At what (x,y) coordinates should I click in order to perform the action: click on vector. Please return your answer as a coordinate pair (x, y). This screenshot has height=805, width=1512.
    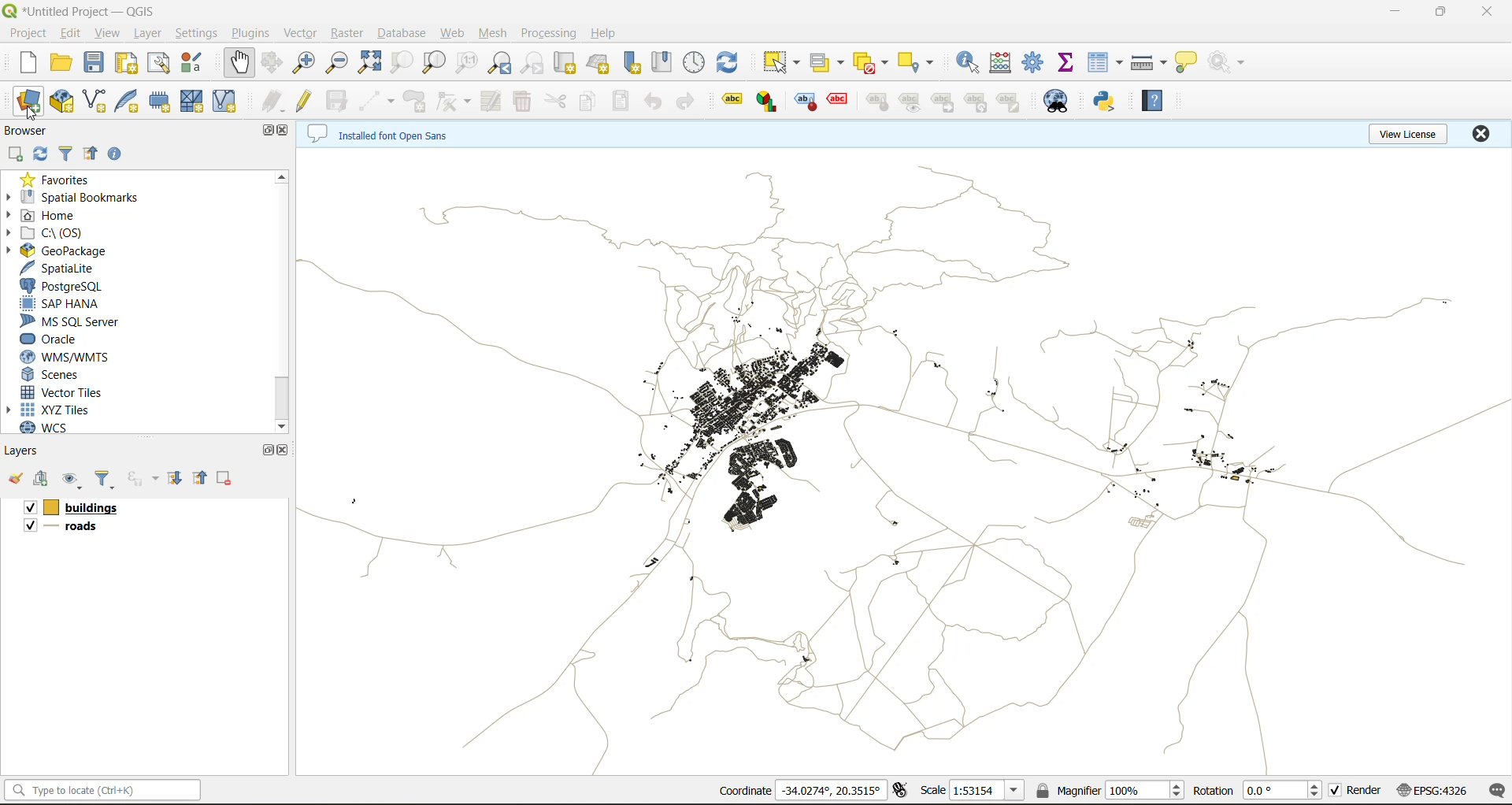
    Looking at the image, I should click on (302, 33).